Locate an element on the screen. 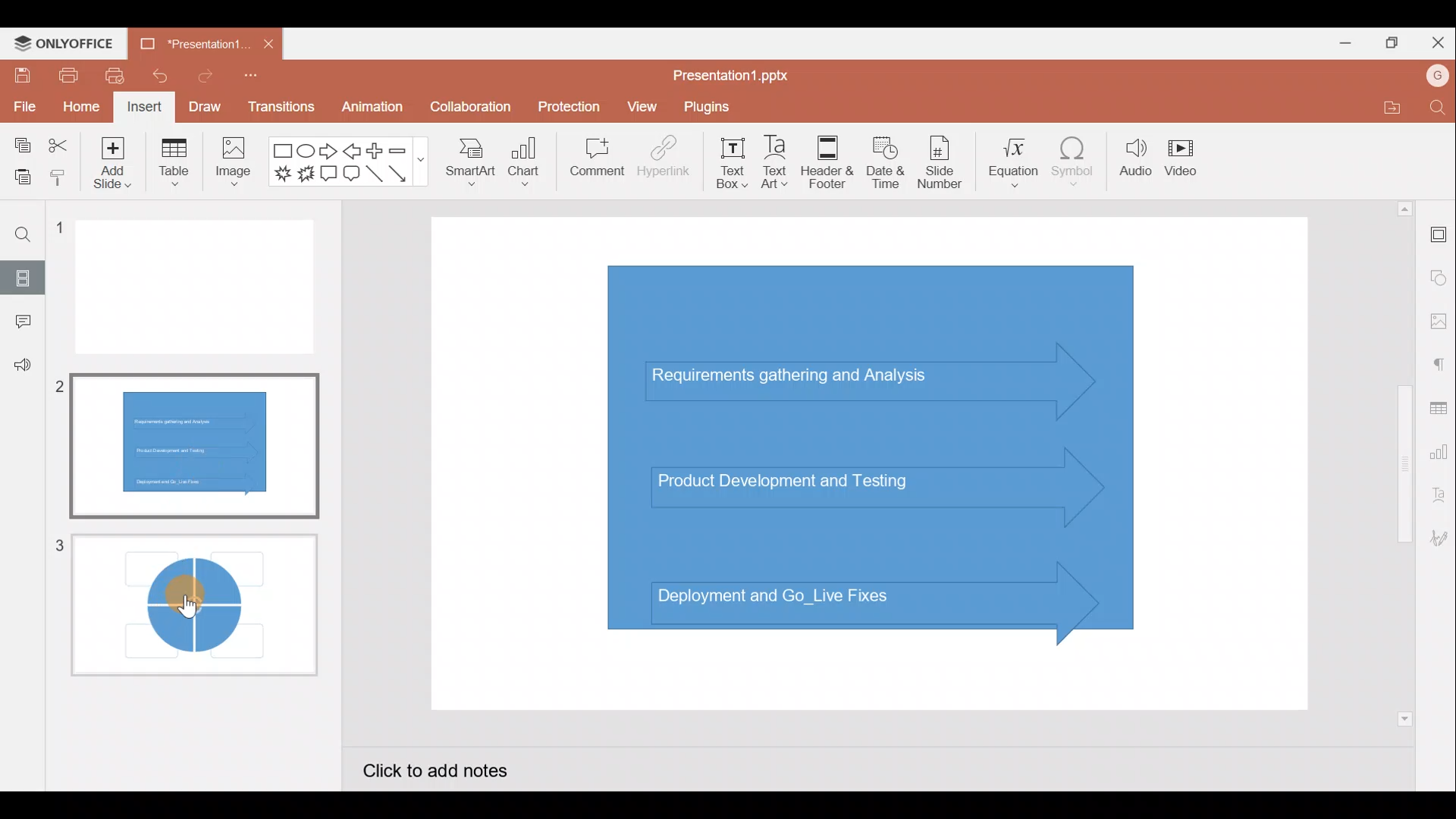  Rectangle is located at coordinates (279, 151).